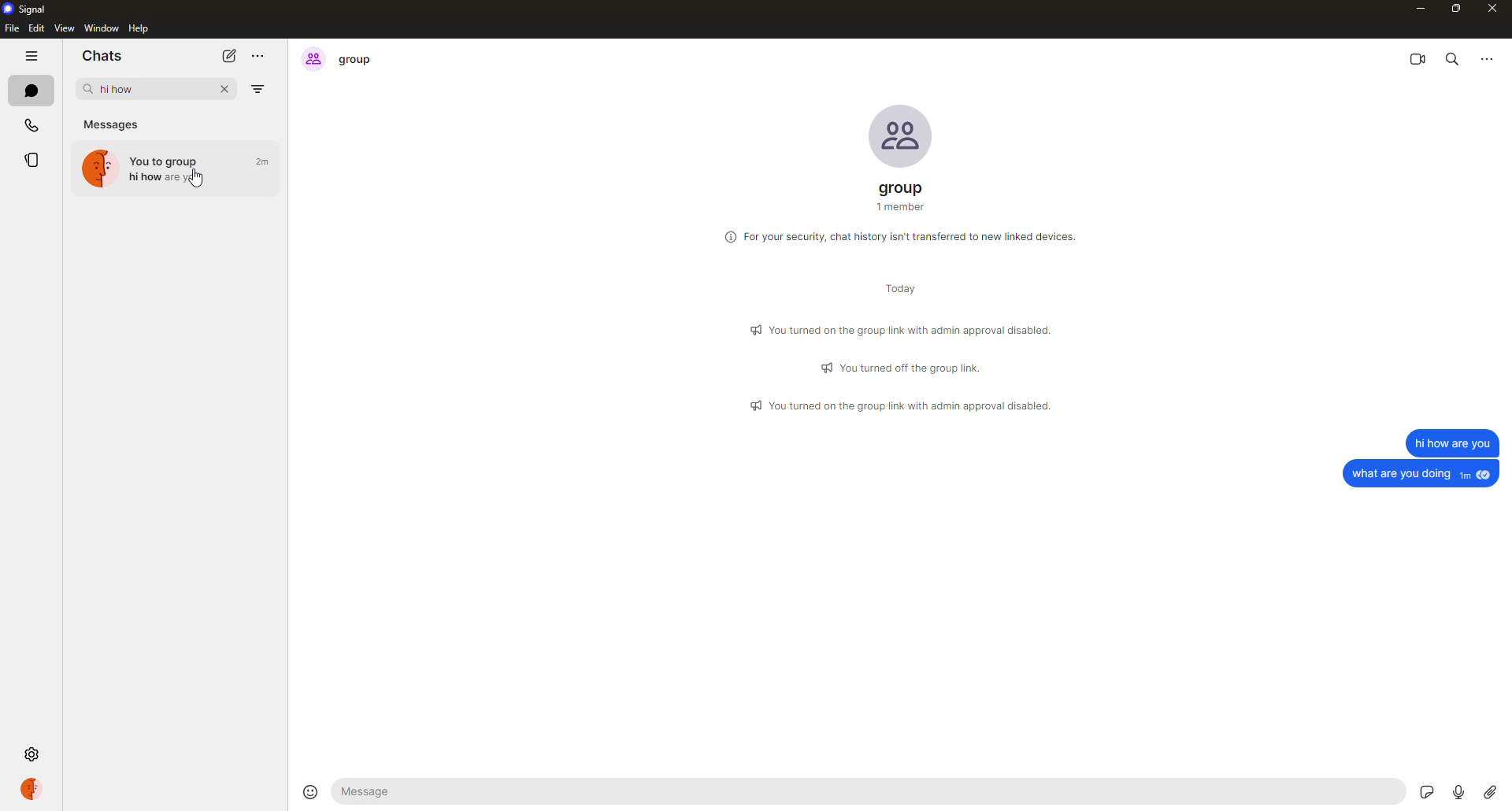  What do you see at coordinates (11, 30) in the screenshot?
I see `file` at bounding box center [11, 30].